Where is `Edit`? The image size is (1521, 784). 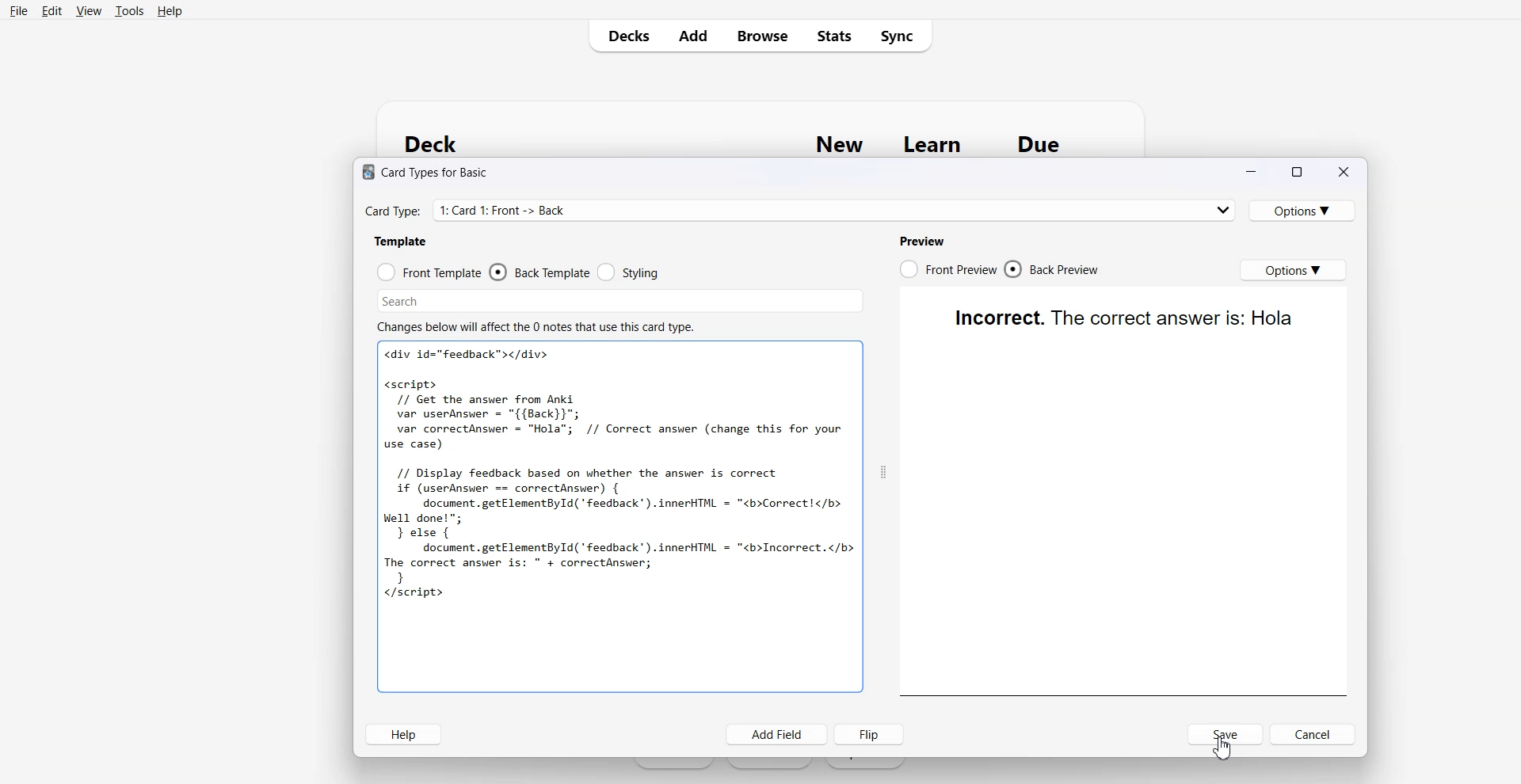
Edit is located at coordinates (51, 10).